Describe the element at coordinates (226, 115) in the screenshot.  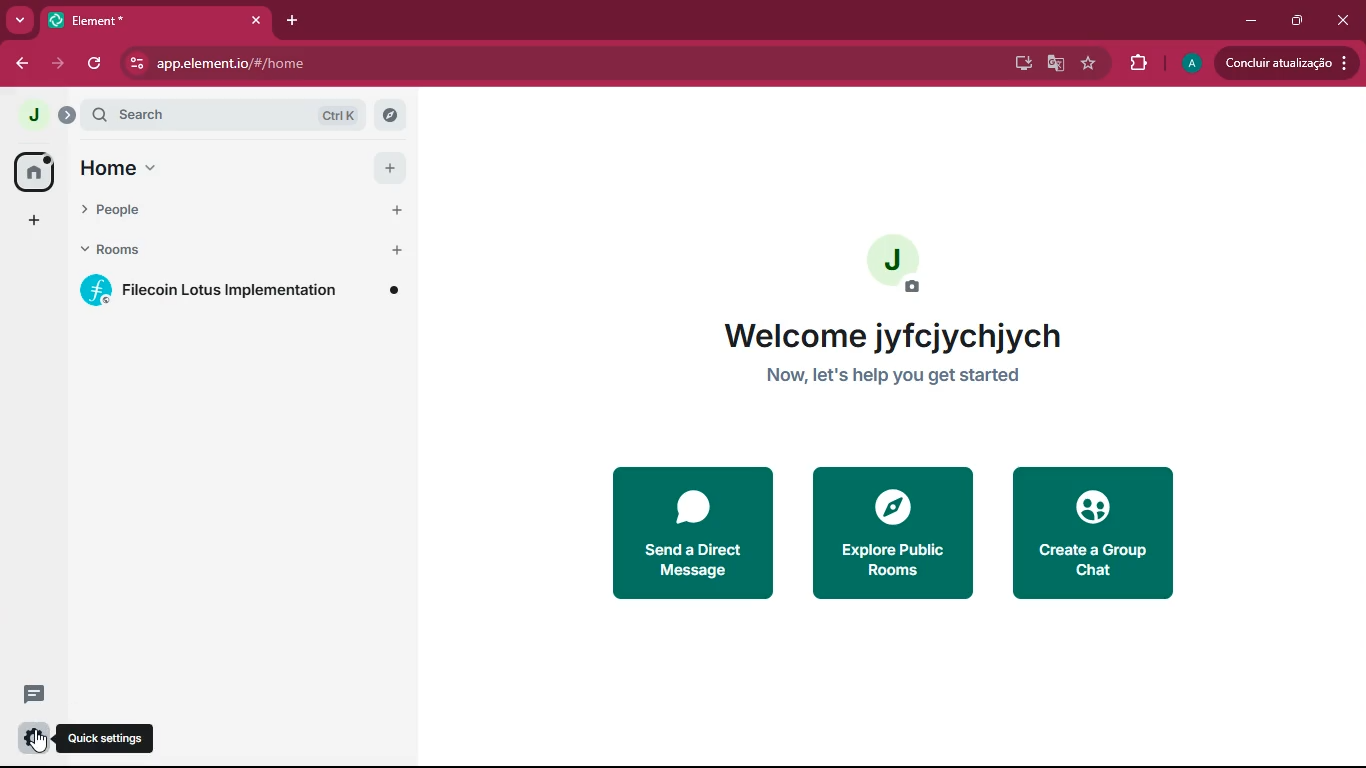
I see `search` at that location.